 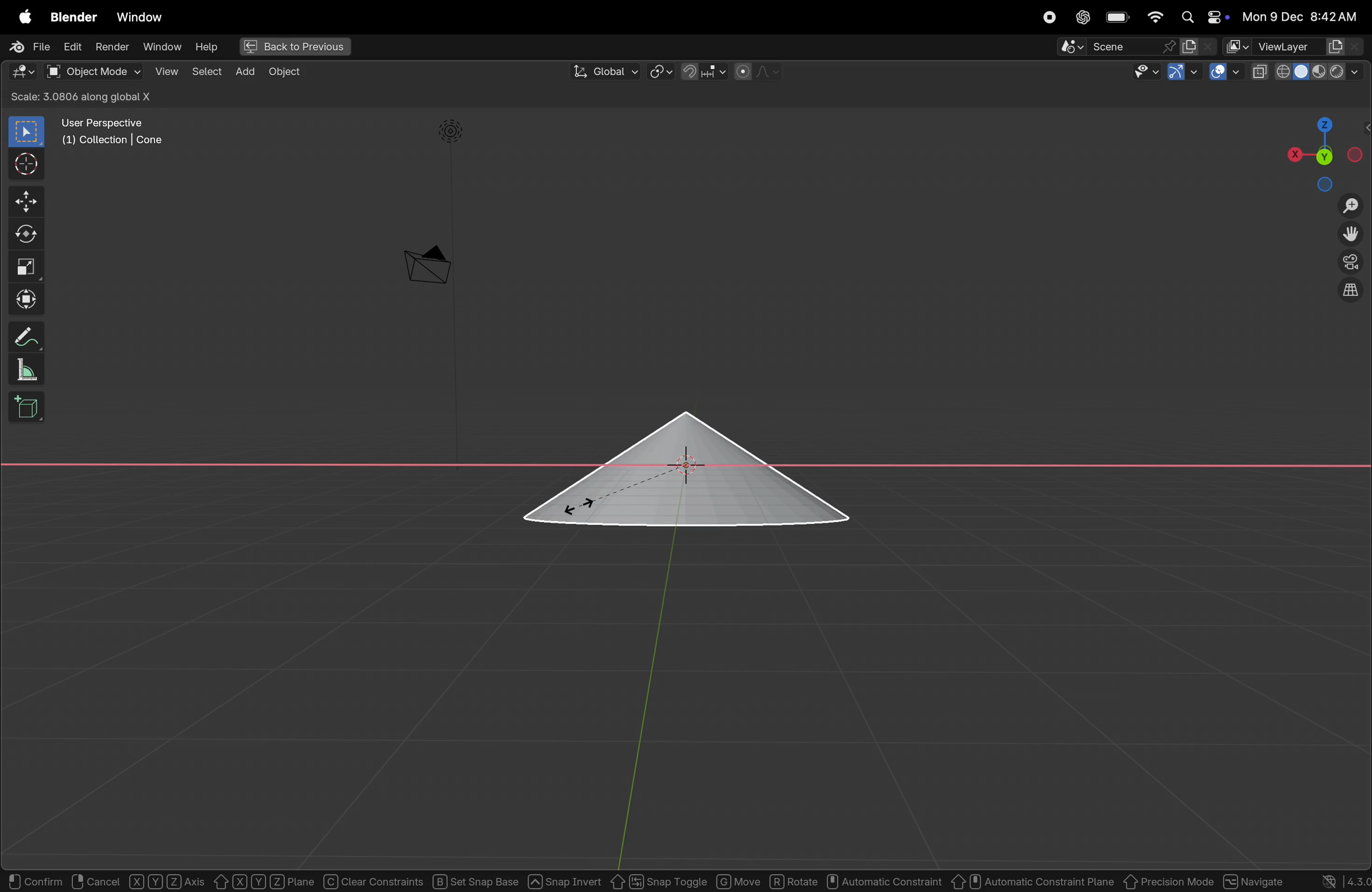 I want to click on apple widgets, so click(x=1201, y=17).